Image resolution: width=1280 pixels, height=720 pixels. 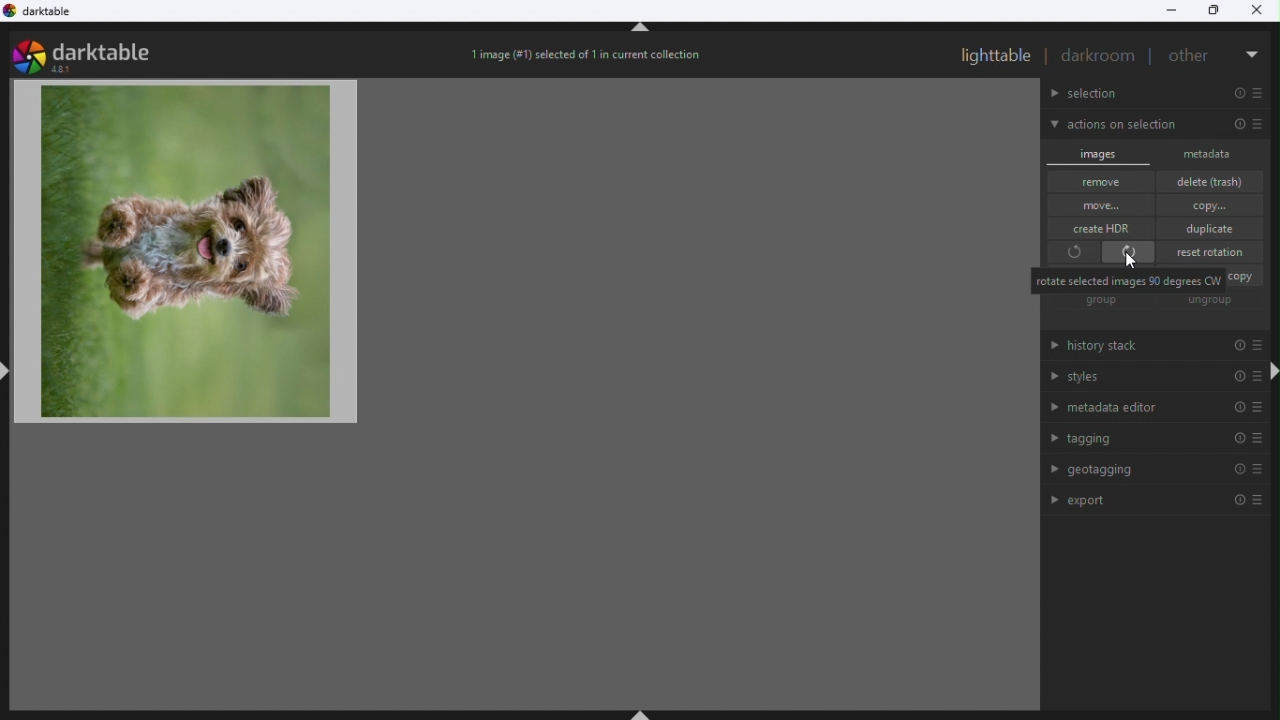 I want to click on Dark table, so click(x=50, y=15).